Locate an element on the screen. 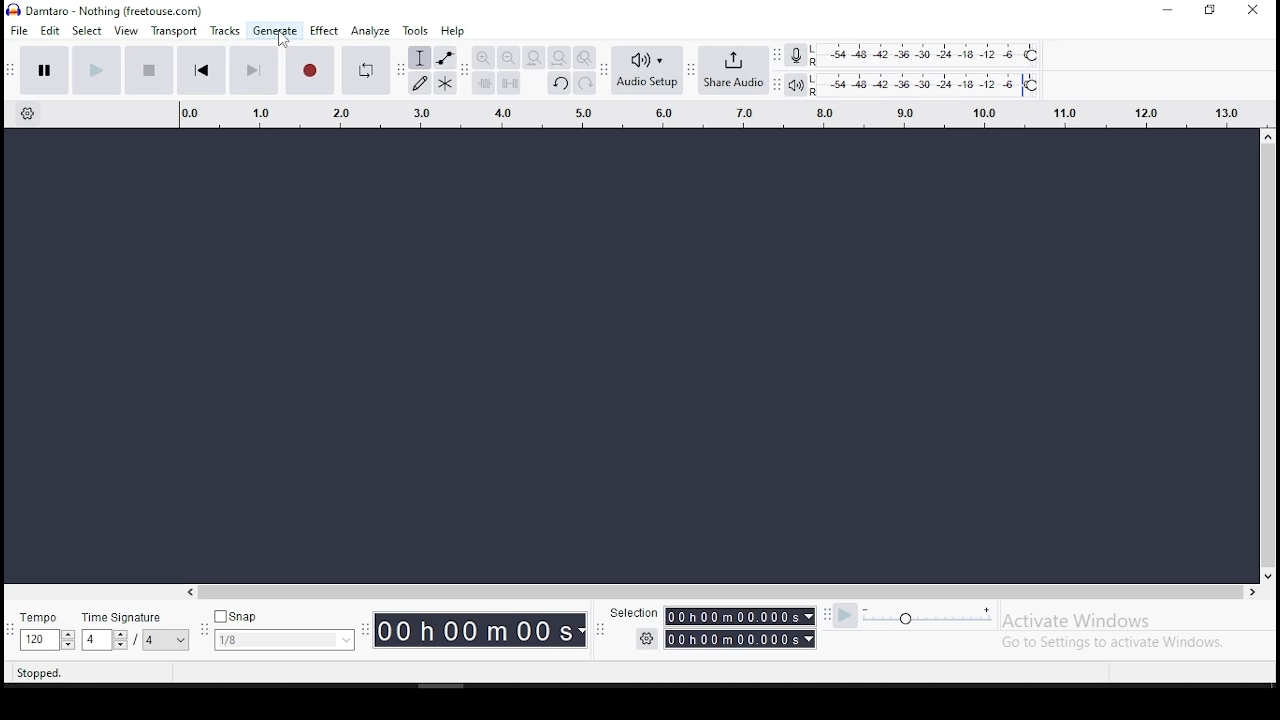 This screenshot has width=1280, height=720. open menu is located at coordinates (608, 68).